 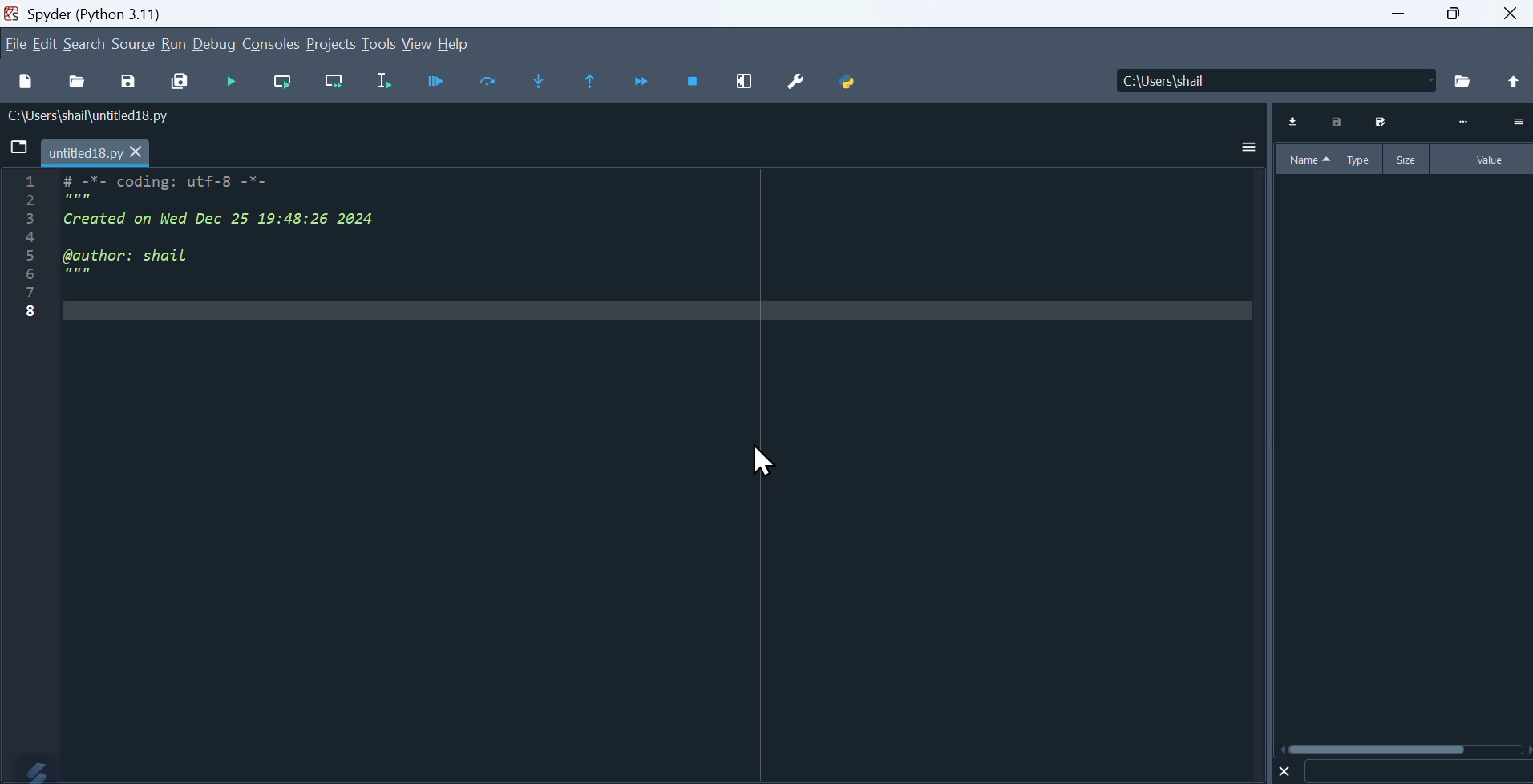 I want to click on Name, so click(x=1304, y=160).